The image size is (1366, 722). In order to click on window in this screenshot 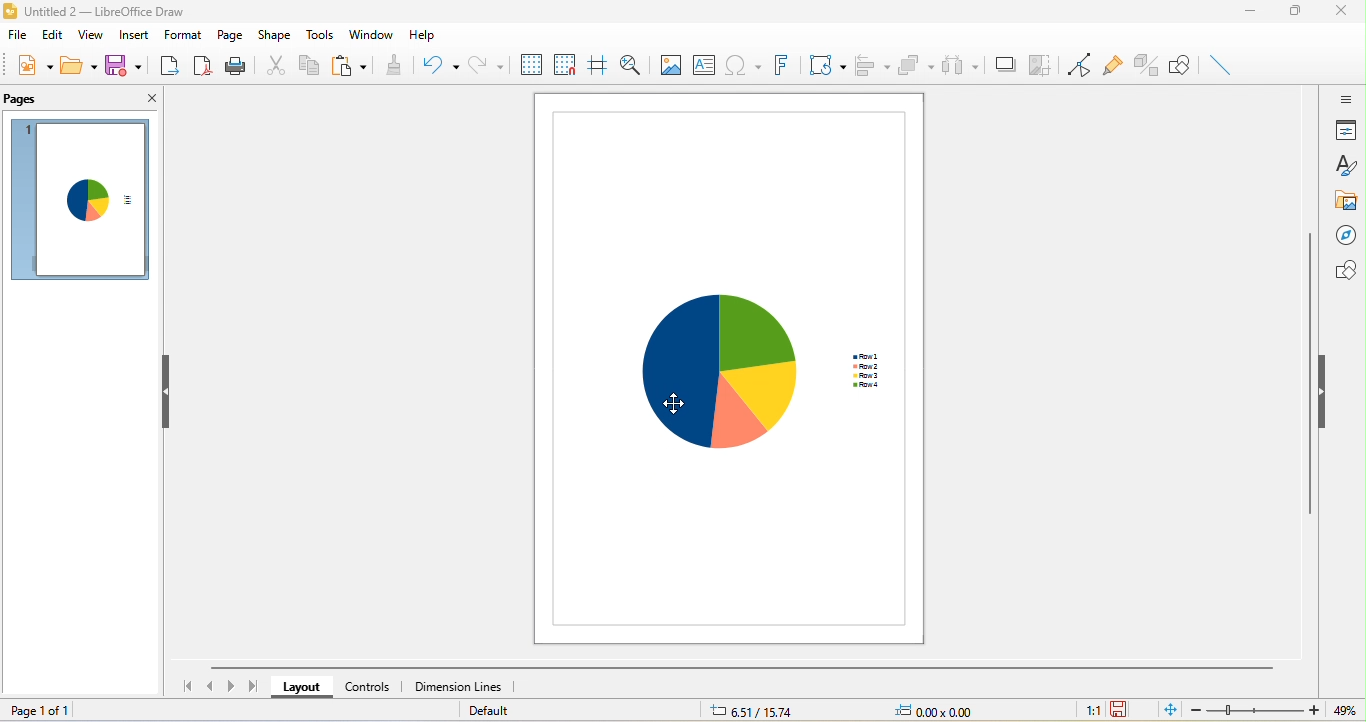, I will do `click(371, 35)`.